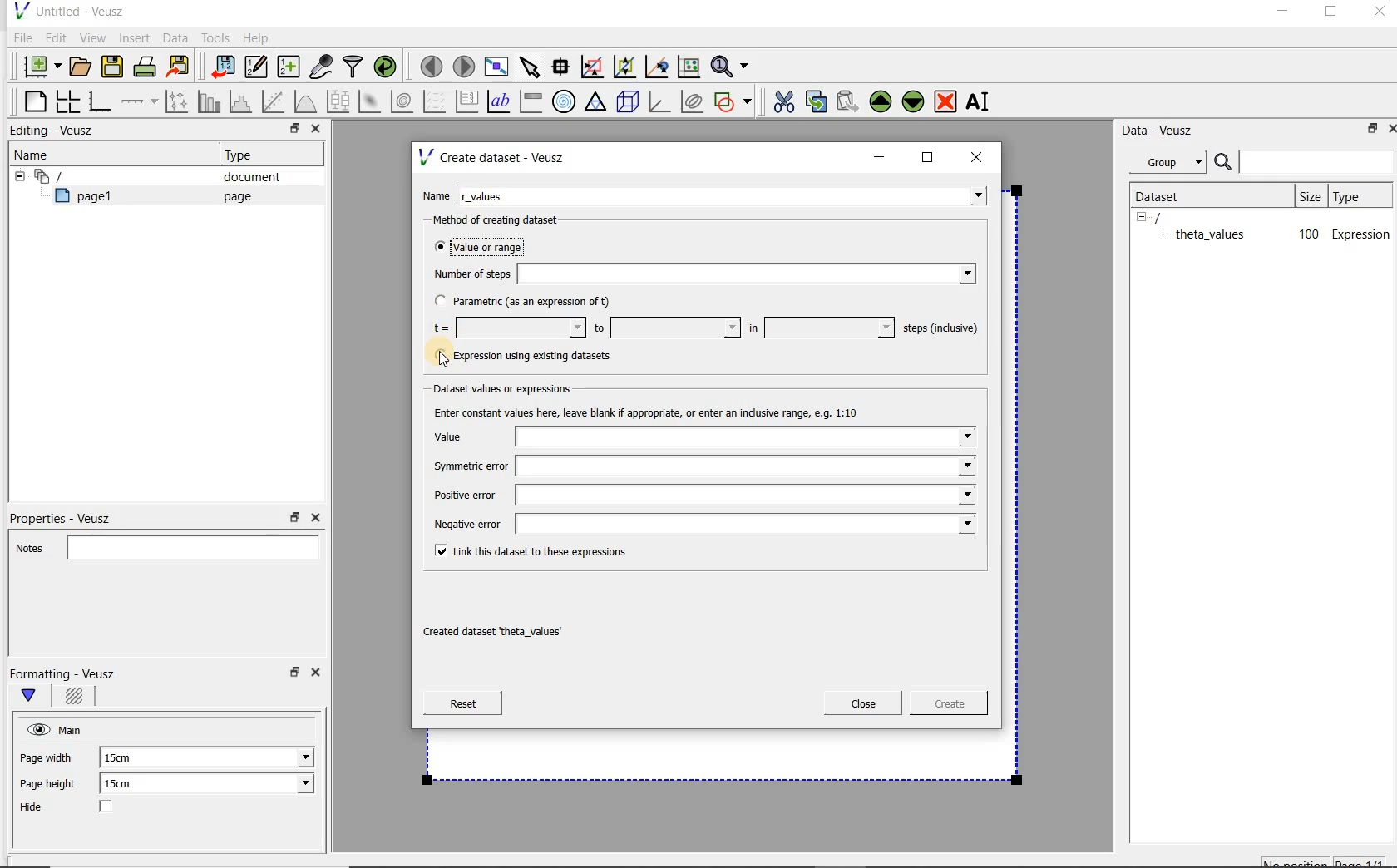 Image resolution: width=1397 pixels, height=868 pixels. I want to click on Untitled - Veusz, so click(67, 10).